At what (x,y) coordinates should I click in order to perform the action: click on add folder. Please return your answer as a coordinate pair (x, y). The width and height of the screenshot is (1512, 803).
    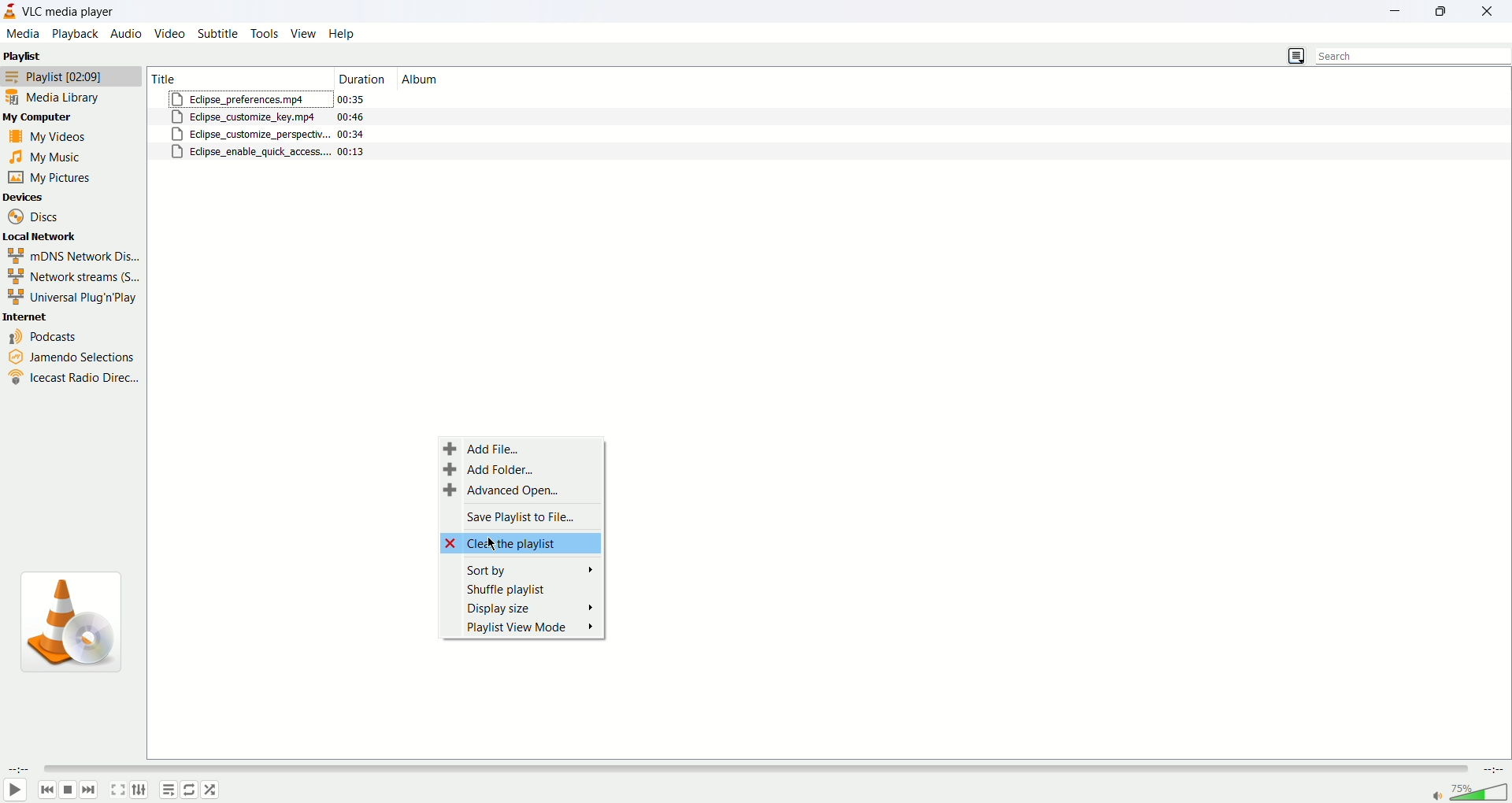
    Looking at the image, I should click on (493, 471).